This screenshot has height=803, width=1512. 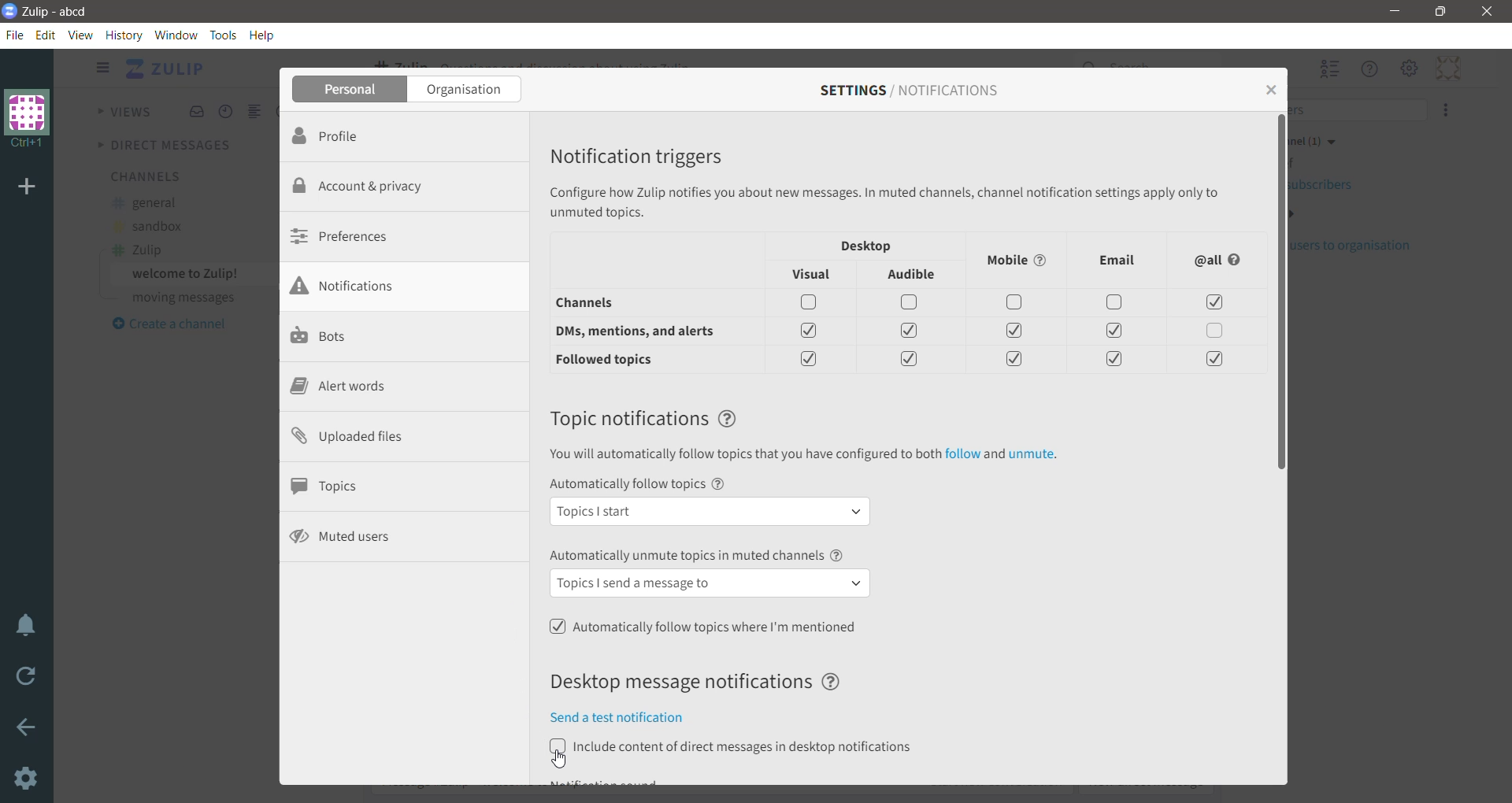 What do you see at coordinates (1117, 260) in the screenshot?
I see `email` at bounding box center [1117, 260].